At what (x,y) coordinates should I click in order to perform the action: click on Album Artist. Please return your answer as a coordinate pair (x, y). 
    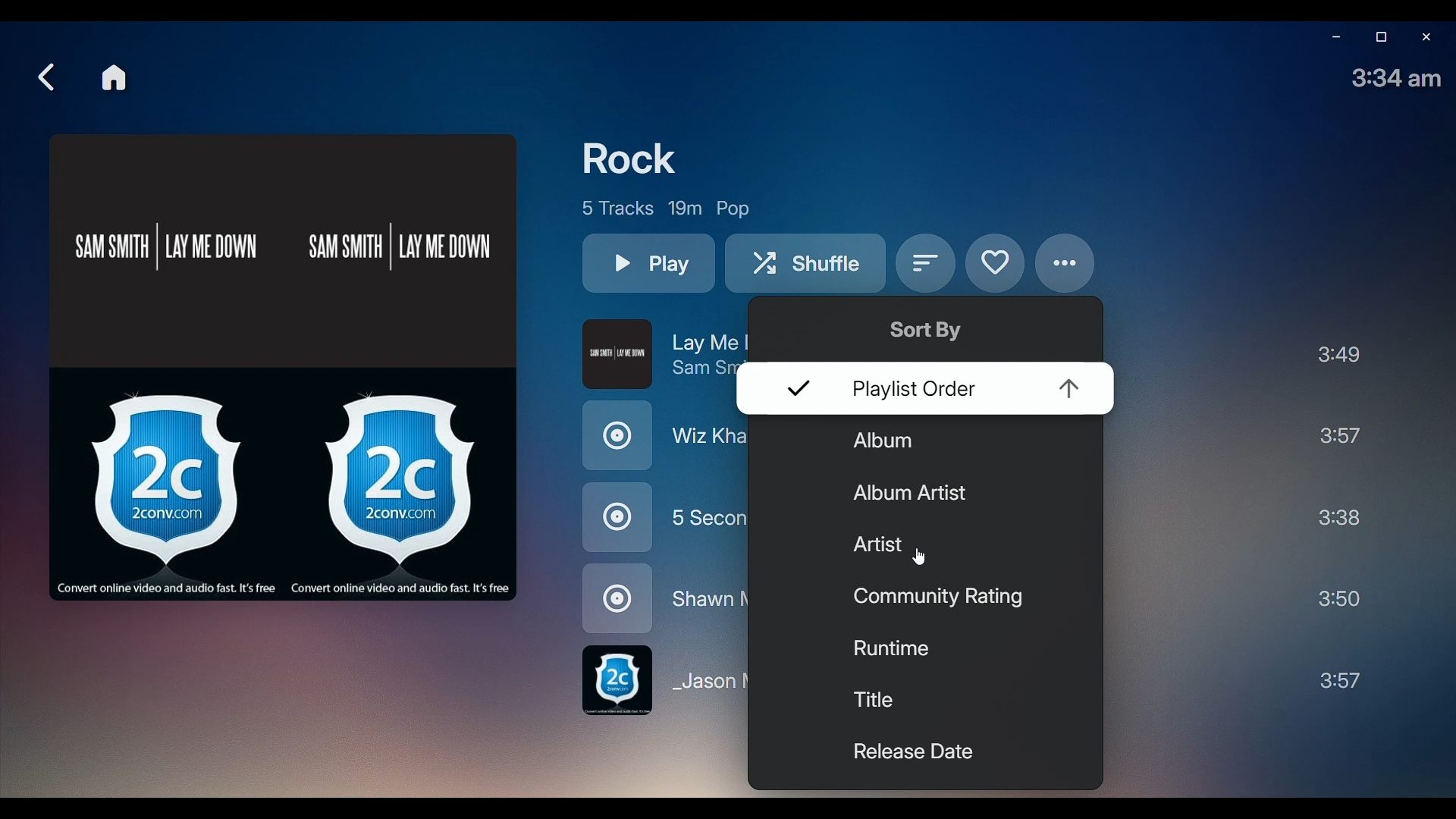
    Looking at the image, I should click on (916, 494).